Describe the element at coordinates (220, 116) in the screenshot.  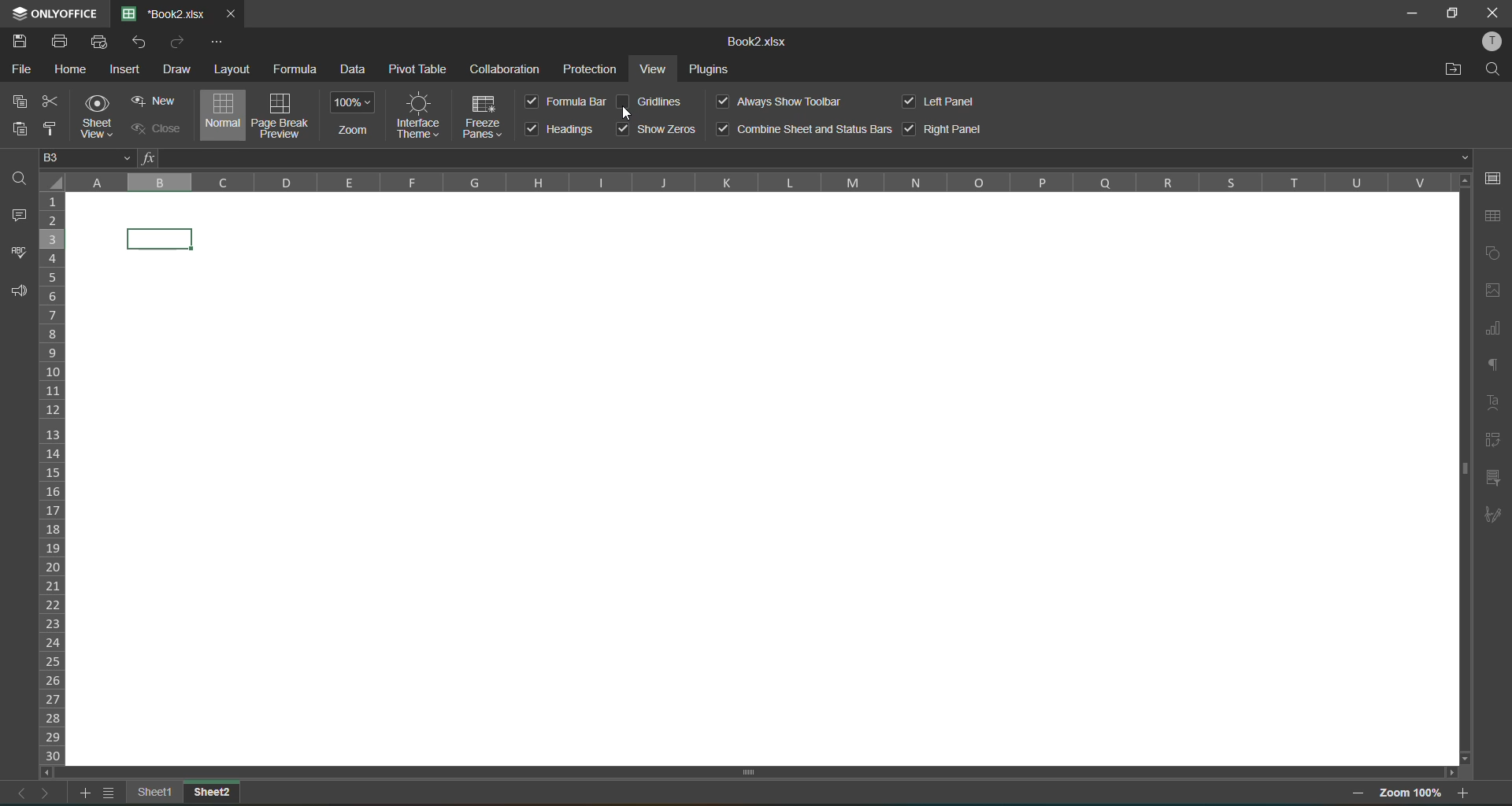
I see `normal` at that location.